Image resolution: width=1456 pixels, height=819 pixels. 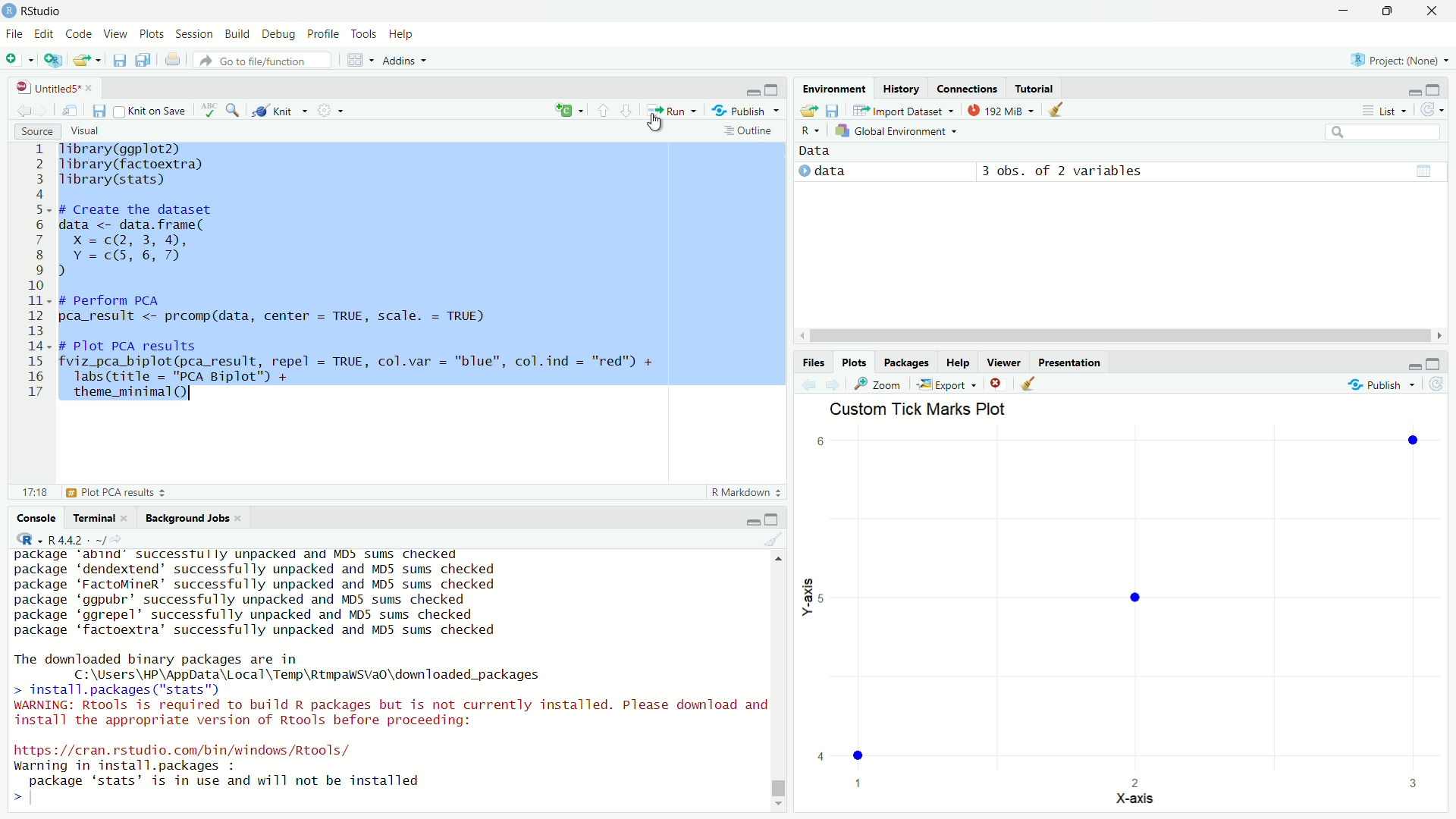 I want to click on maximum, so click(x=1435, y=362).